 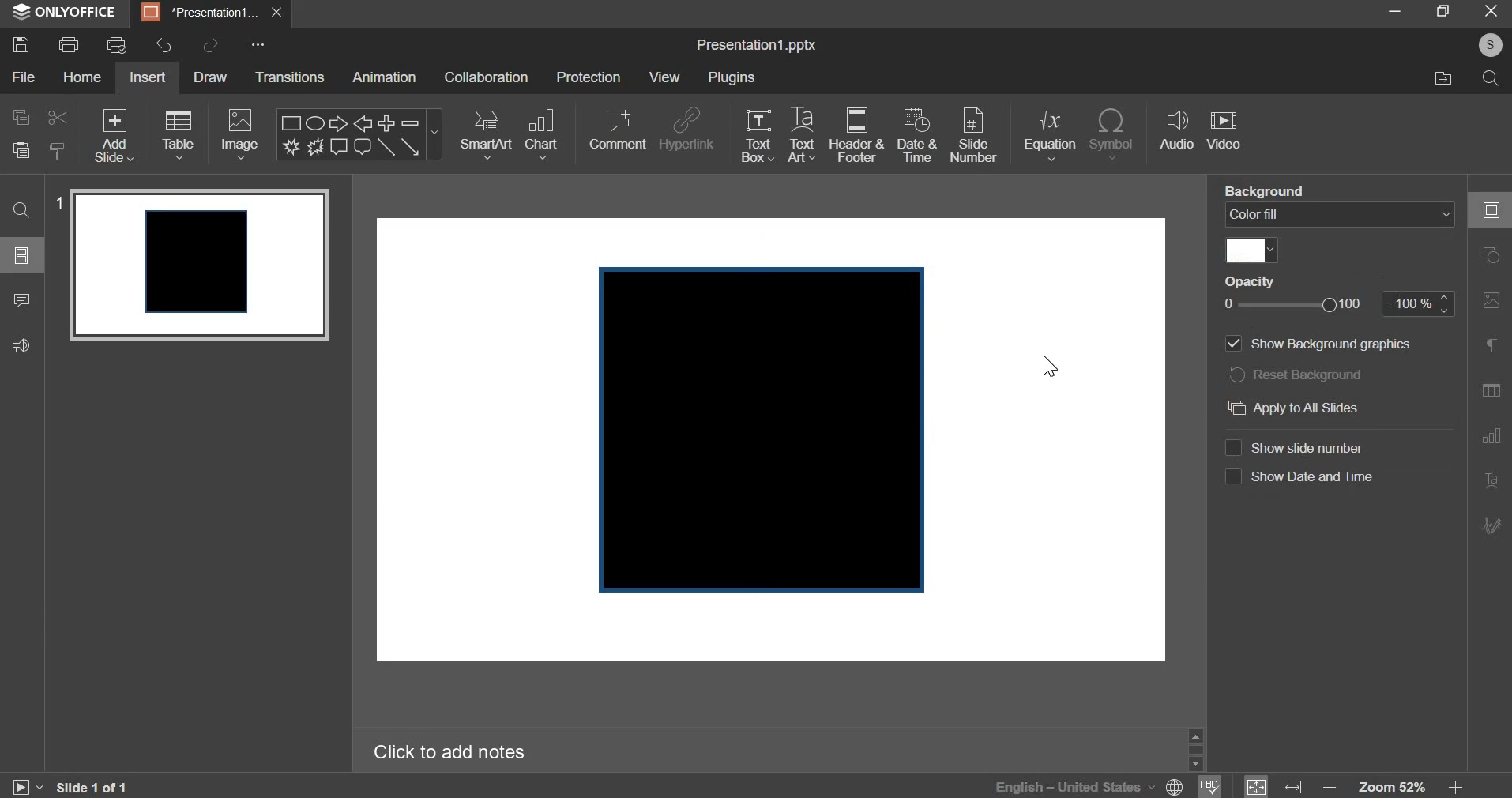 What do you see at coordinates (1338, 216) in the screenshot?
I see `Color fill` at bounding box center [1338, 216].